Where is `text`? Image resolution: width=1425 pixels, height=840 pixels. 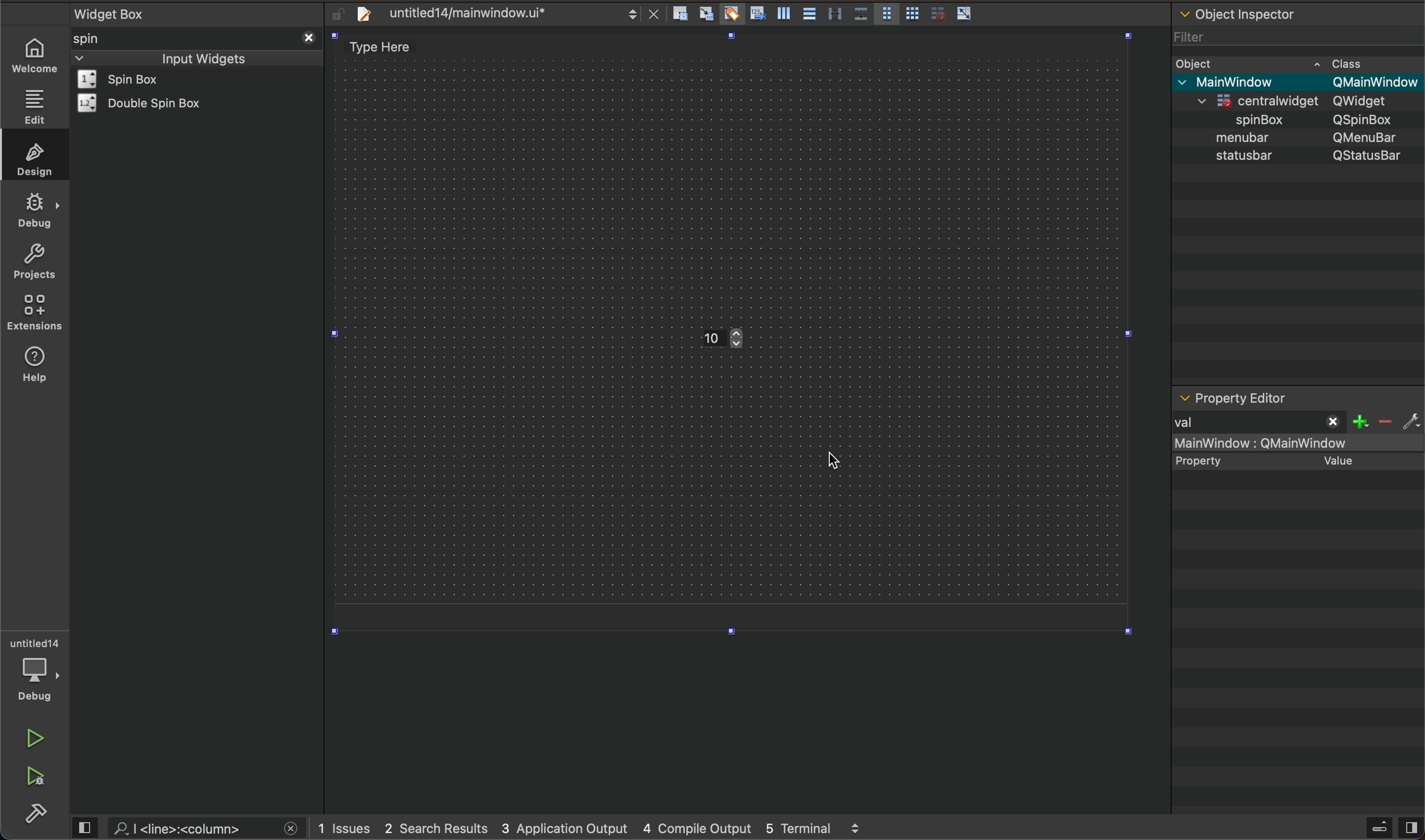 text is located at coordinates (1235, 157).